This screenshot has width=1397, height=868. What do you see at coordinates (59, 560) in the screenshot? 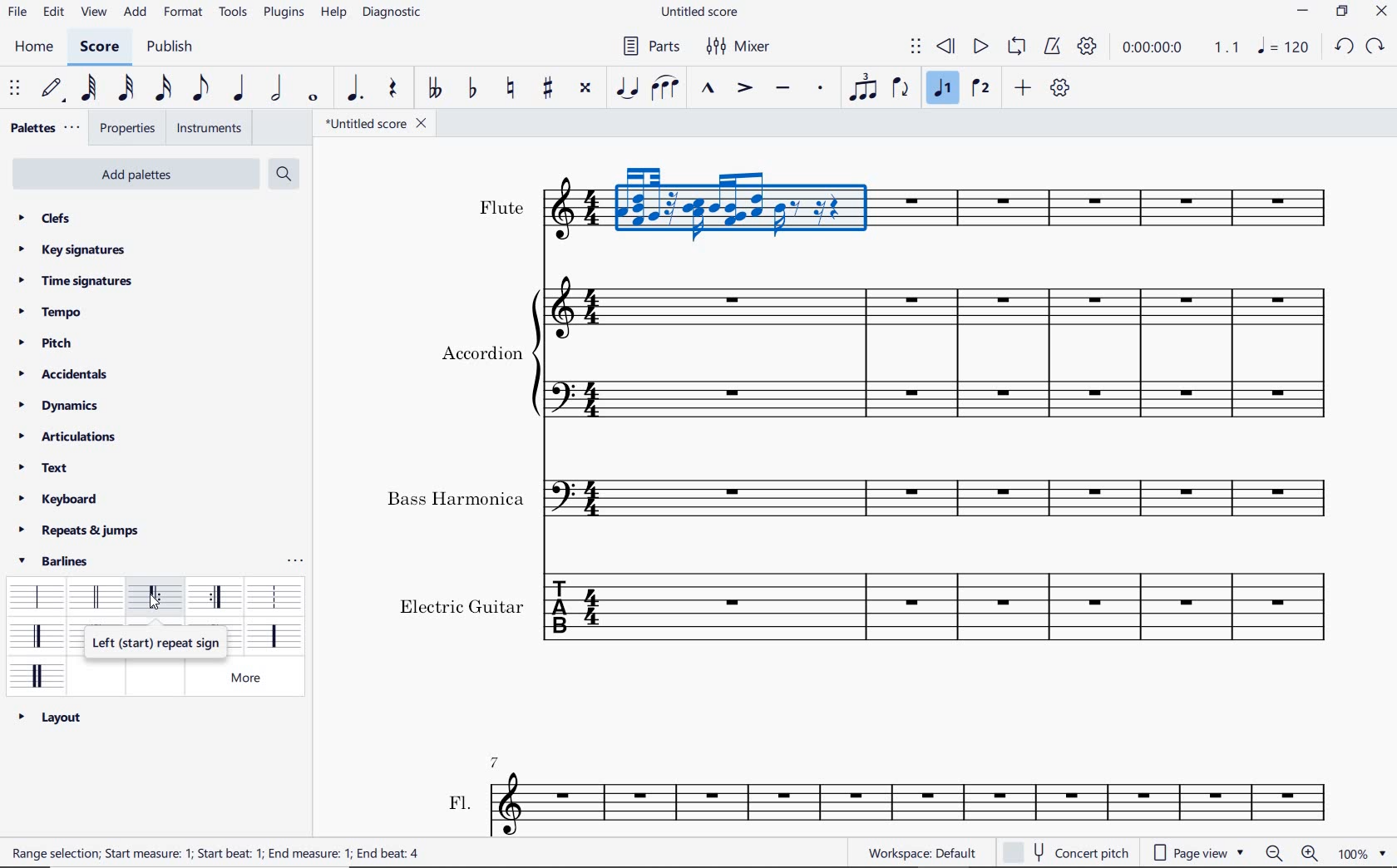
I see `barlines` at bounding box center [59, 560].